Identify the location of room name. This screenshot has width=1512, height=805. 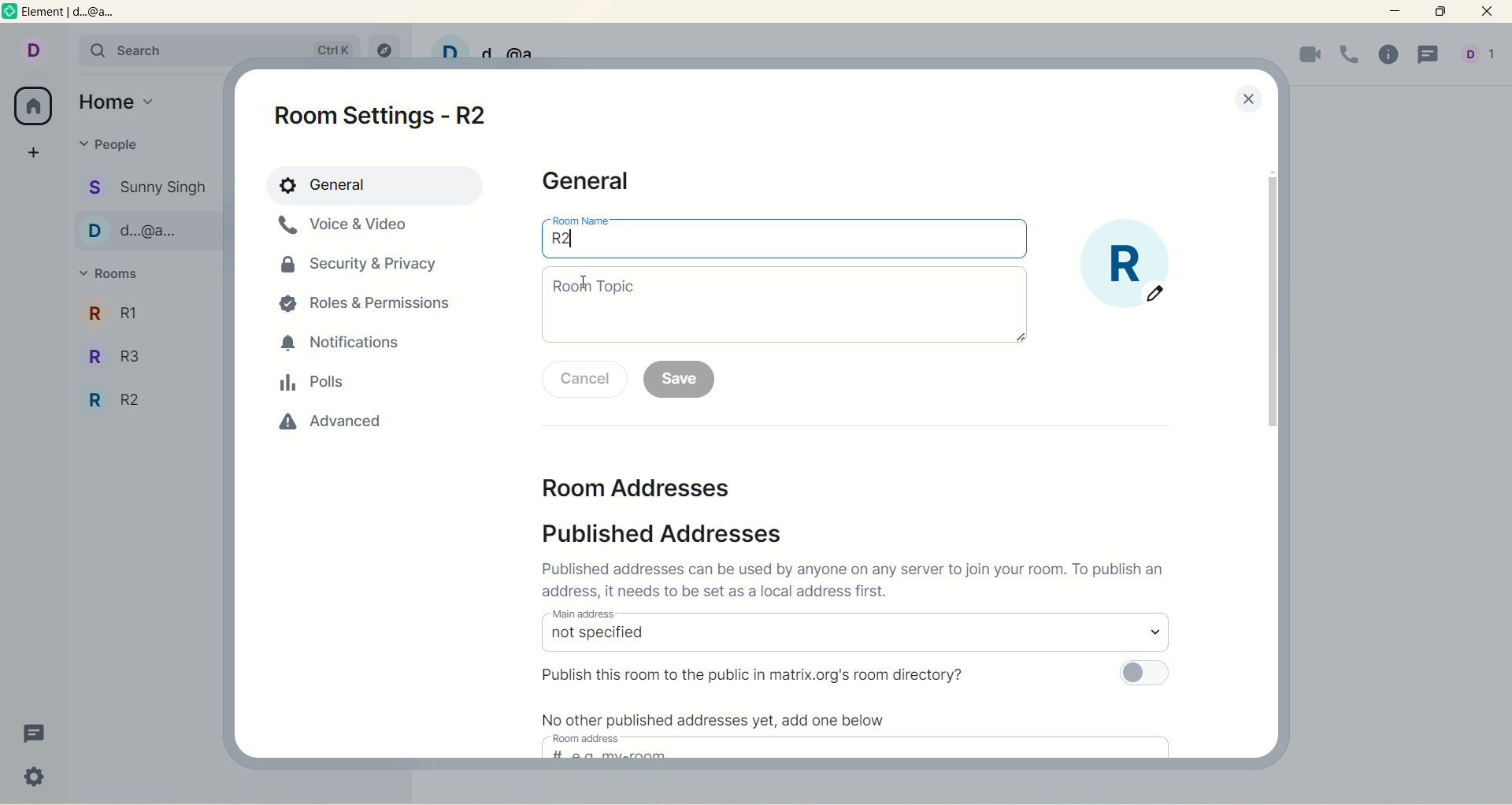
(785, 245).